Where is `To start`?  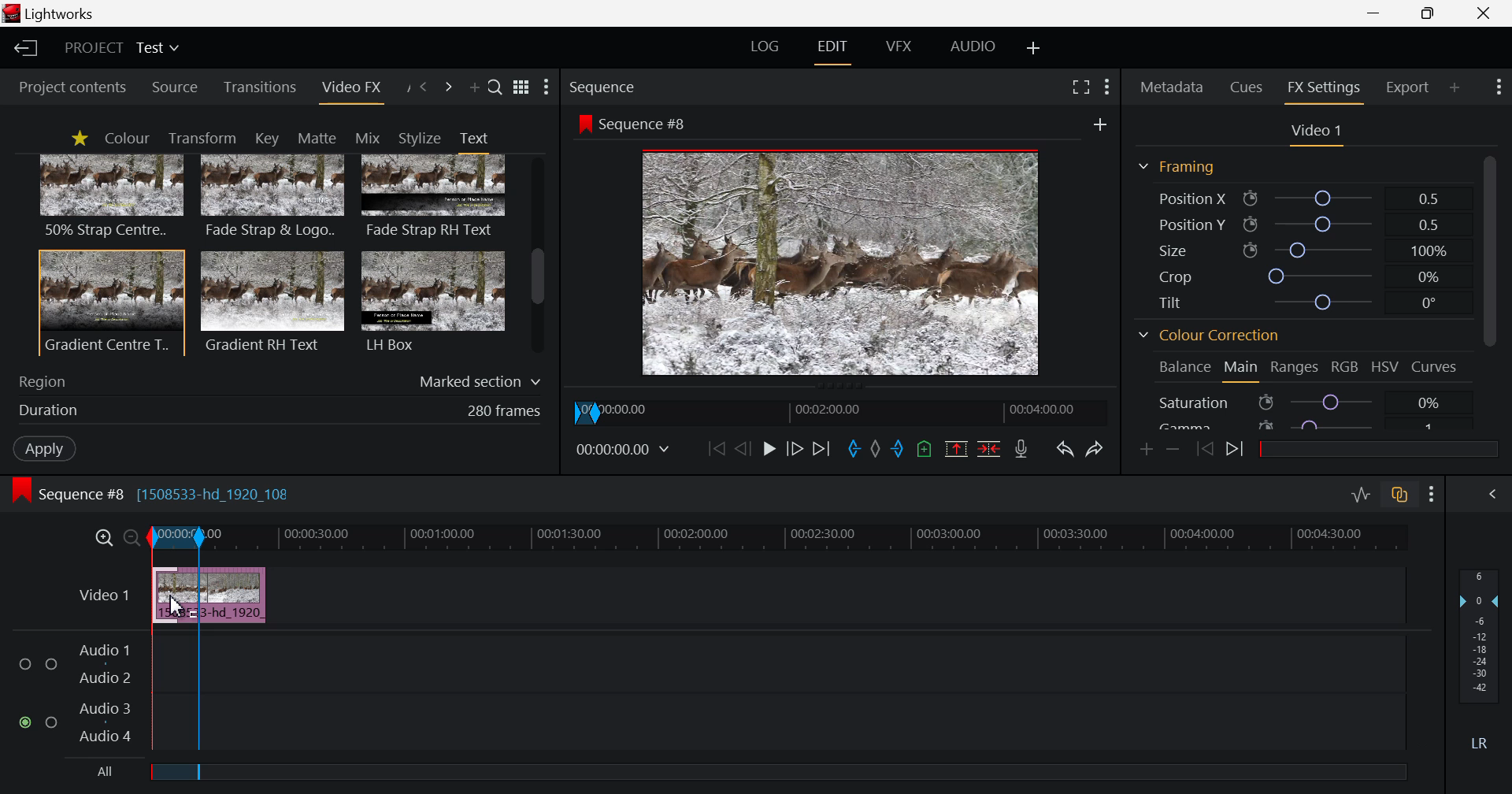
To start is located at coordinates (714, 451).